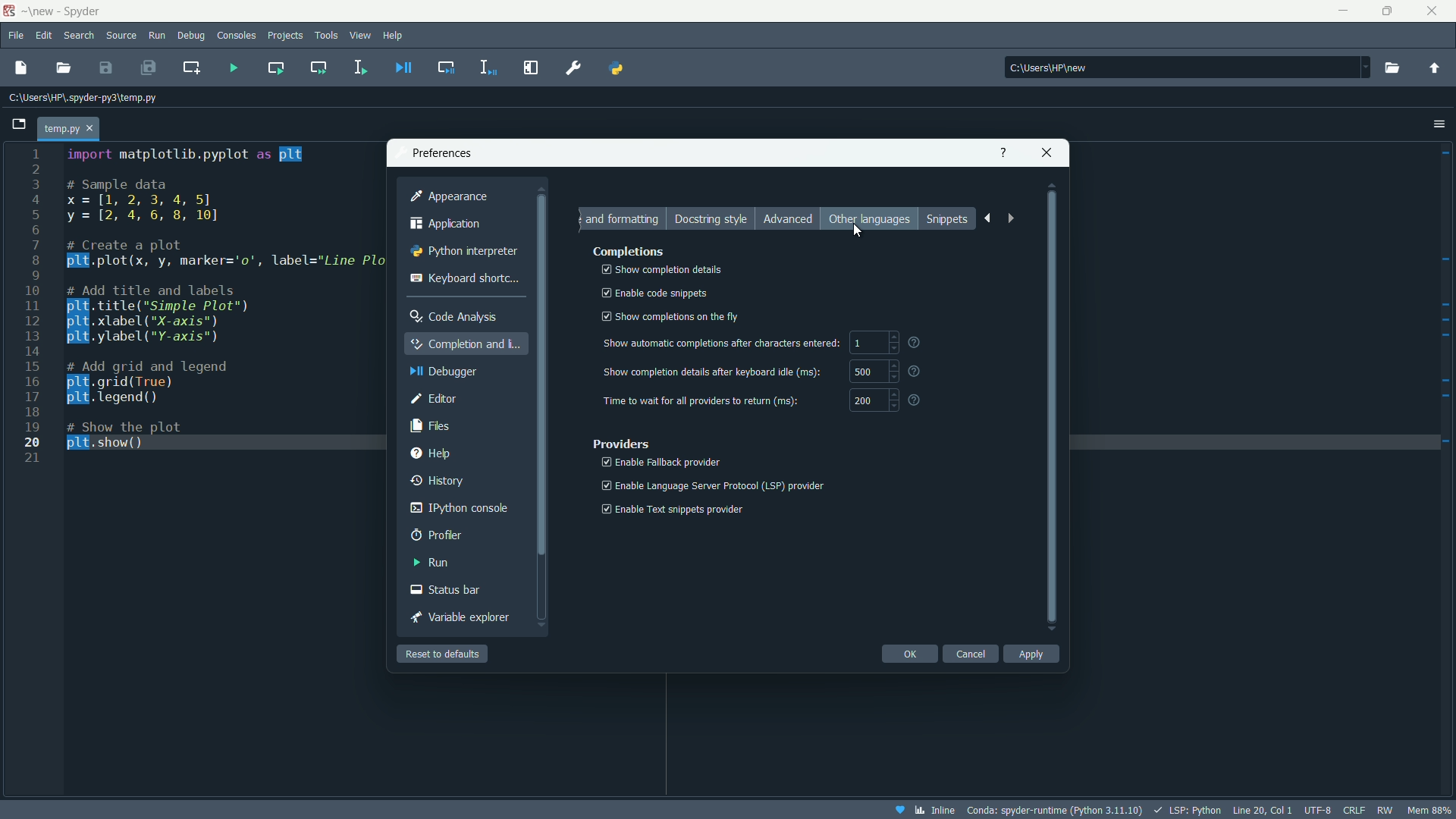  What do you see at coordinates (1053, 408) in the screenshot?
I see `scroll bar` at bounding box center [1053, 408].